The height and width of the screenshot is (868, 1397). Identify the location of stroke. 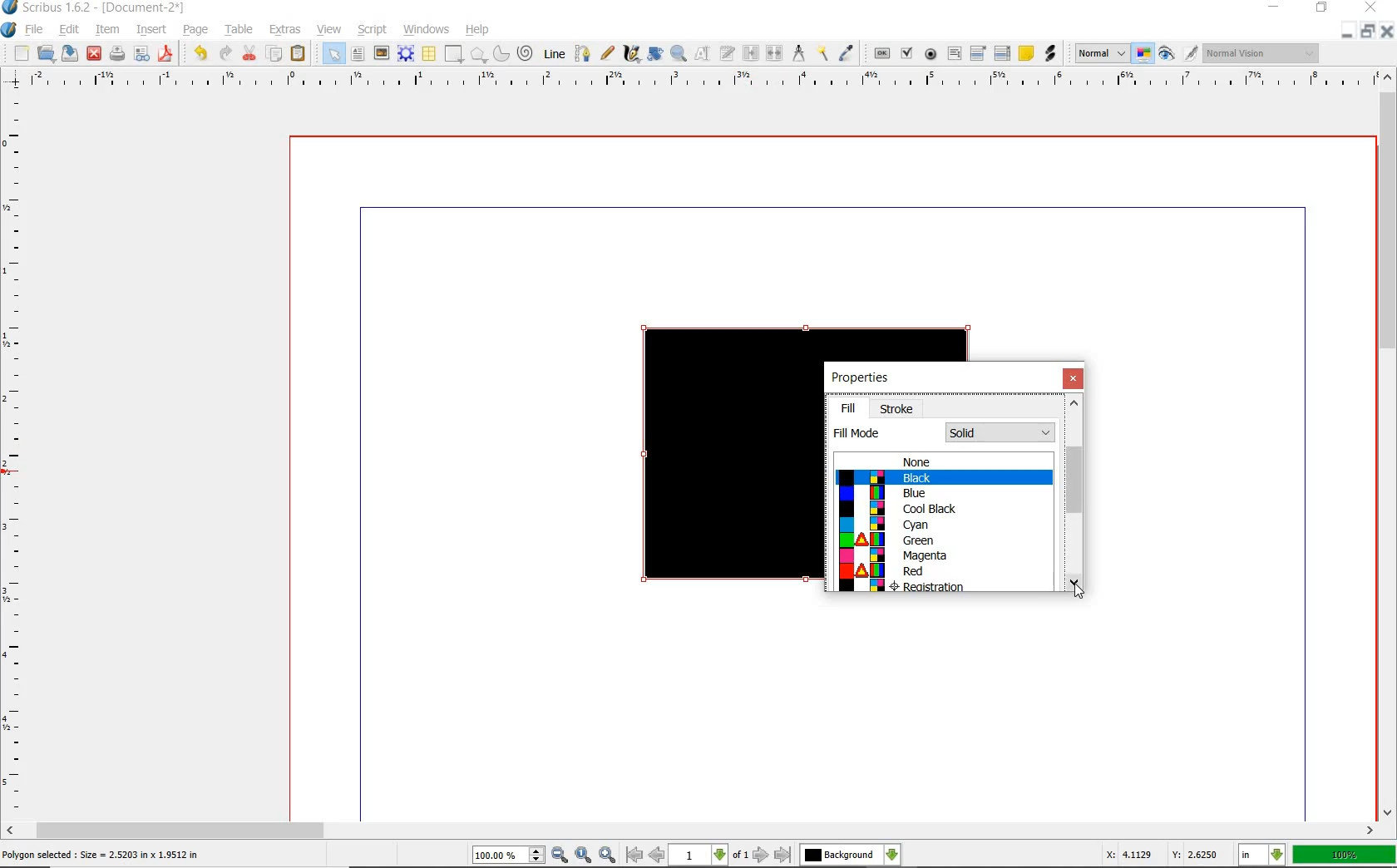
(901, 411).